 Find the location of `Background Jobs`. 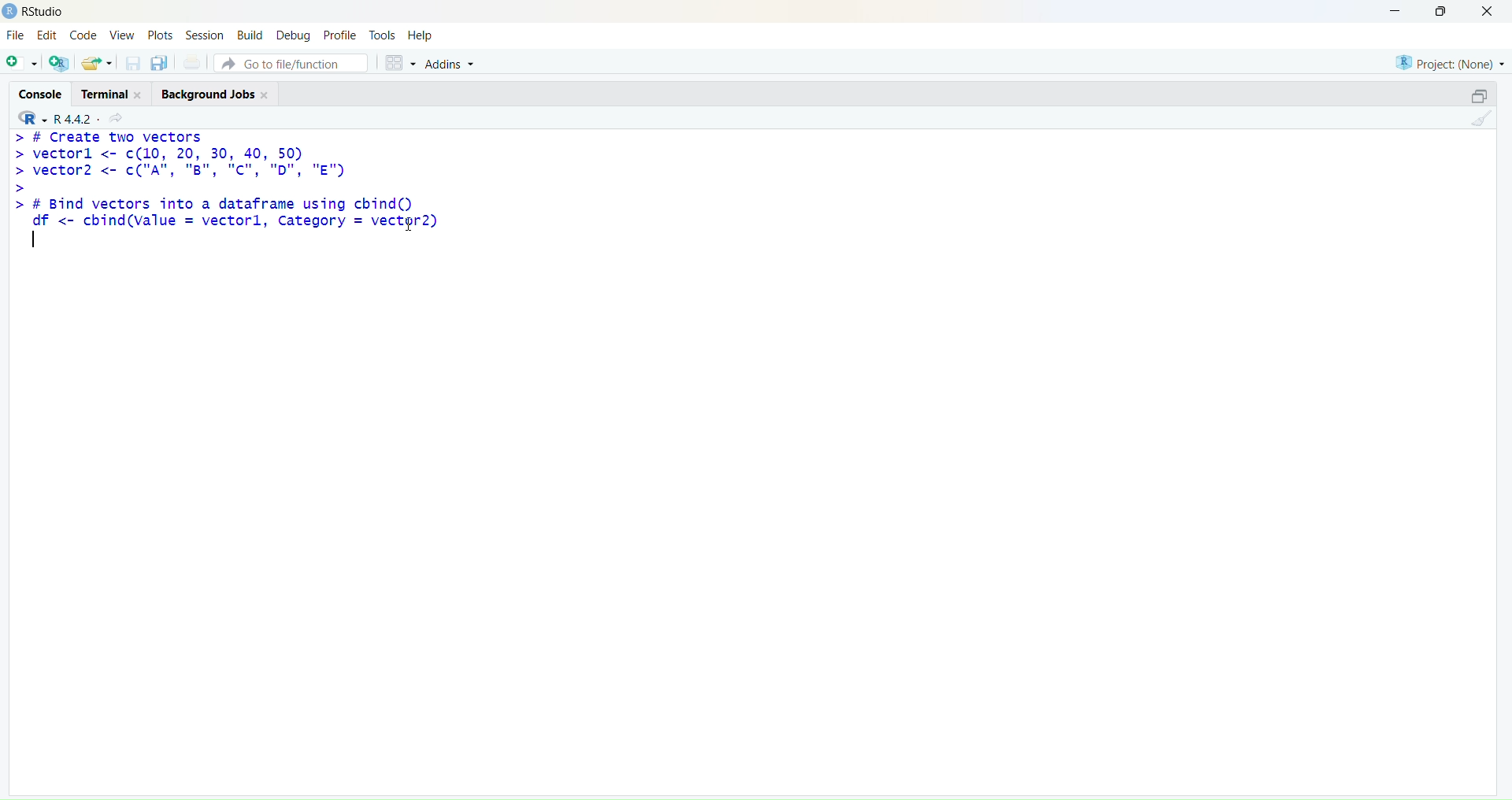

Background Jobs is located at coordinates (214, 94).